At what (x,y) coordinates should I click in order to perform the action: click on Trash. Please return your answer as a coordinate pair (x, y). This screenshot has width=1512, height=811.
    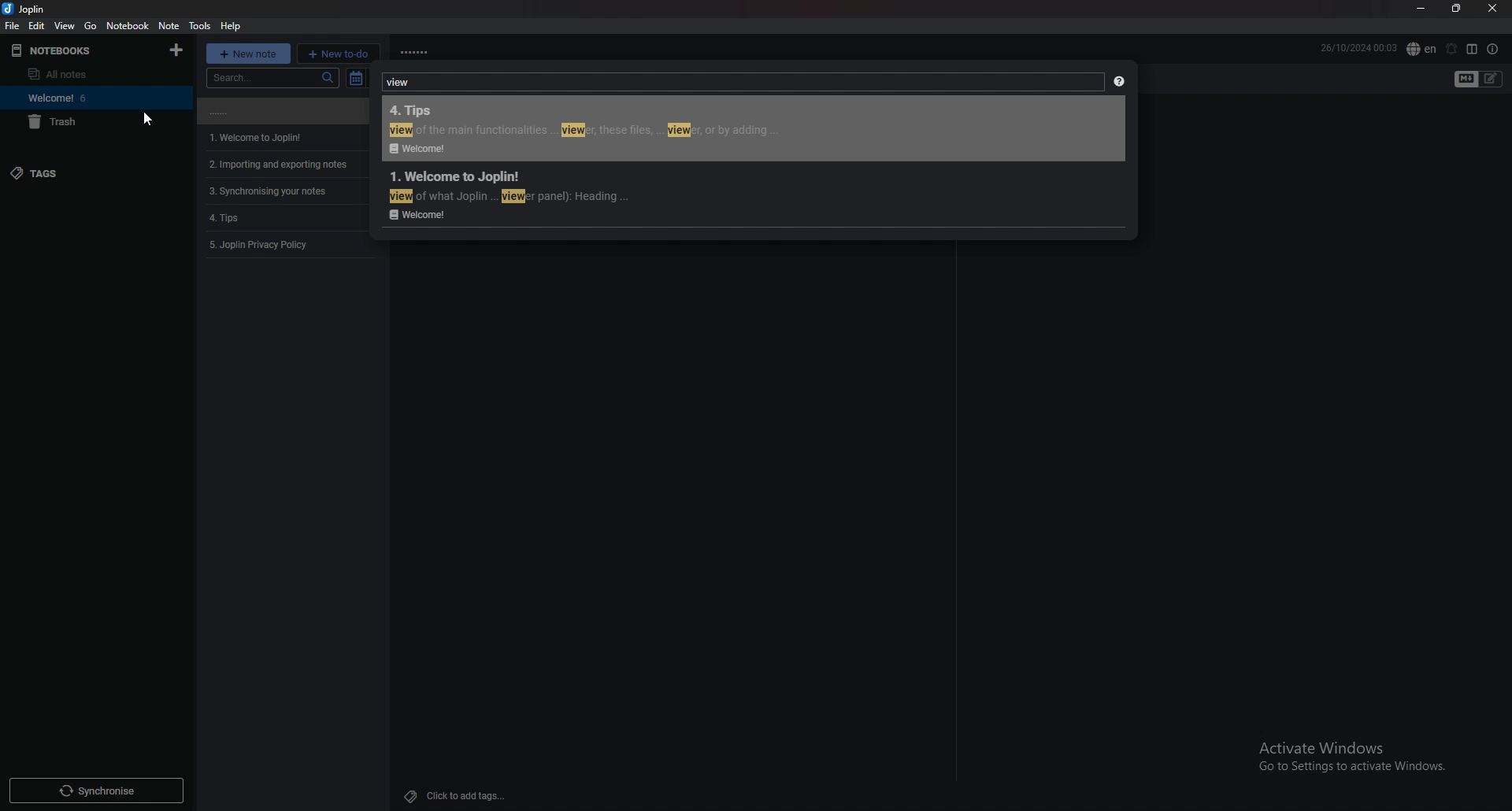
    Looking at the image, I should click on (54, 122).